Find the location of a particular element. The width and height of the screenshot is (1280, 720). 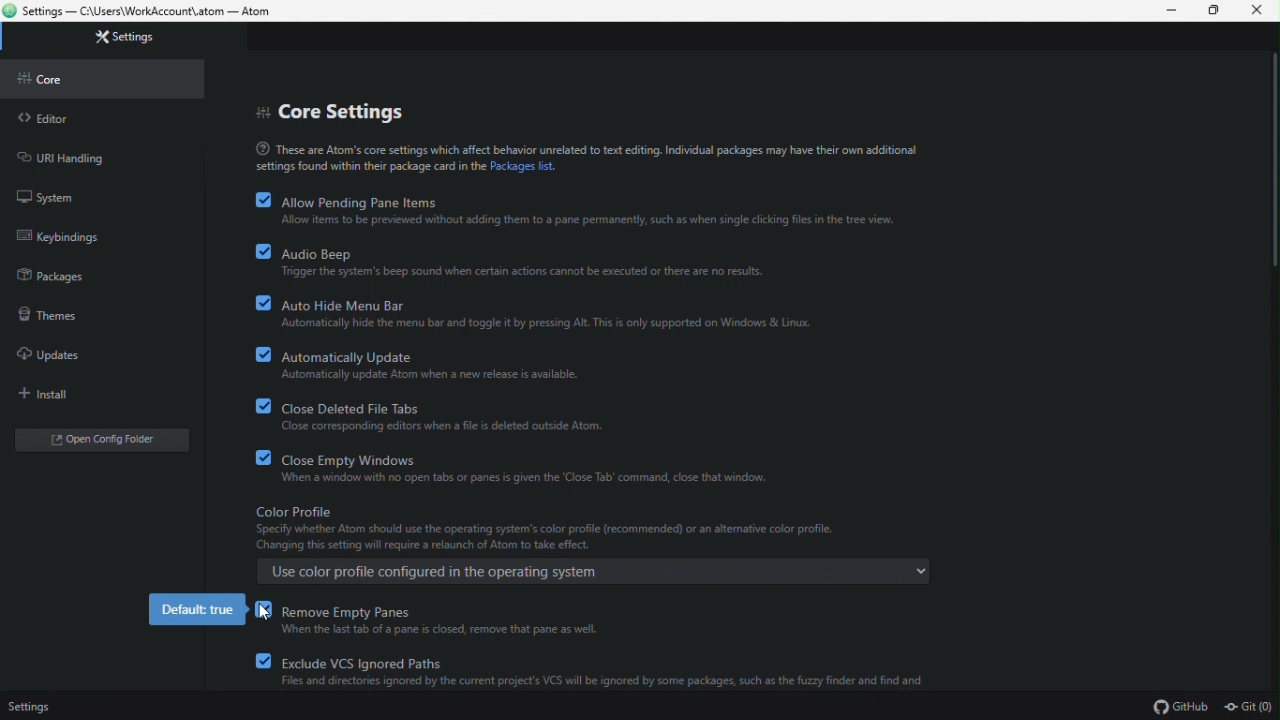

editor is located at coordinates (46, 119).